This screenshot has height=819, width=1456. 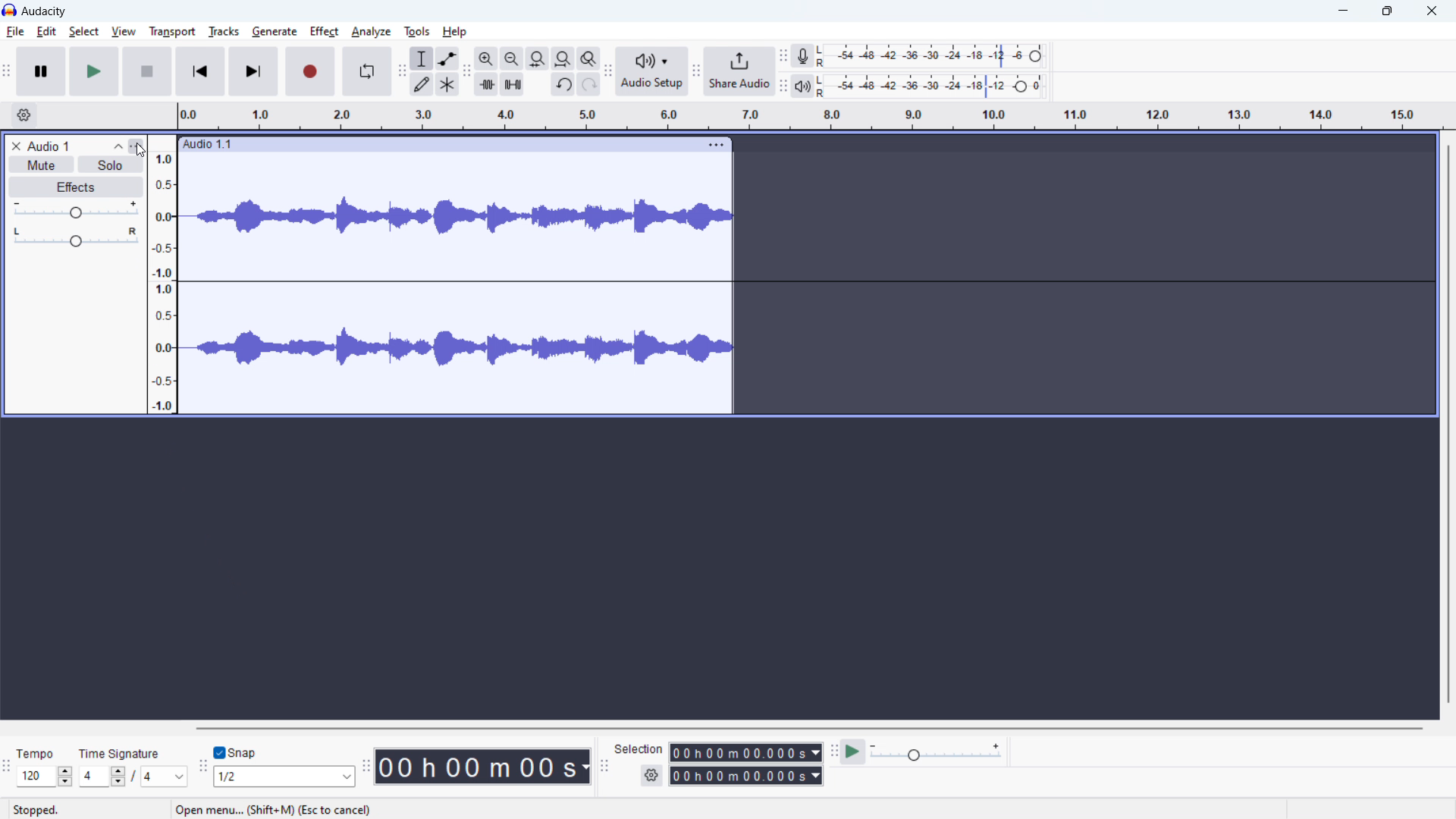 What do you see at coordinates (1388, 11) in the screenshot?
I see `maximize` at bounding box center [1388, 11].